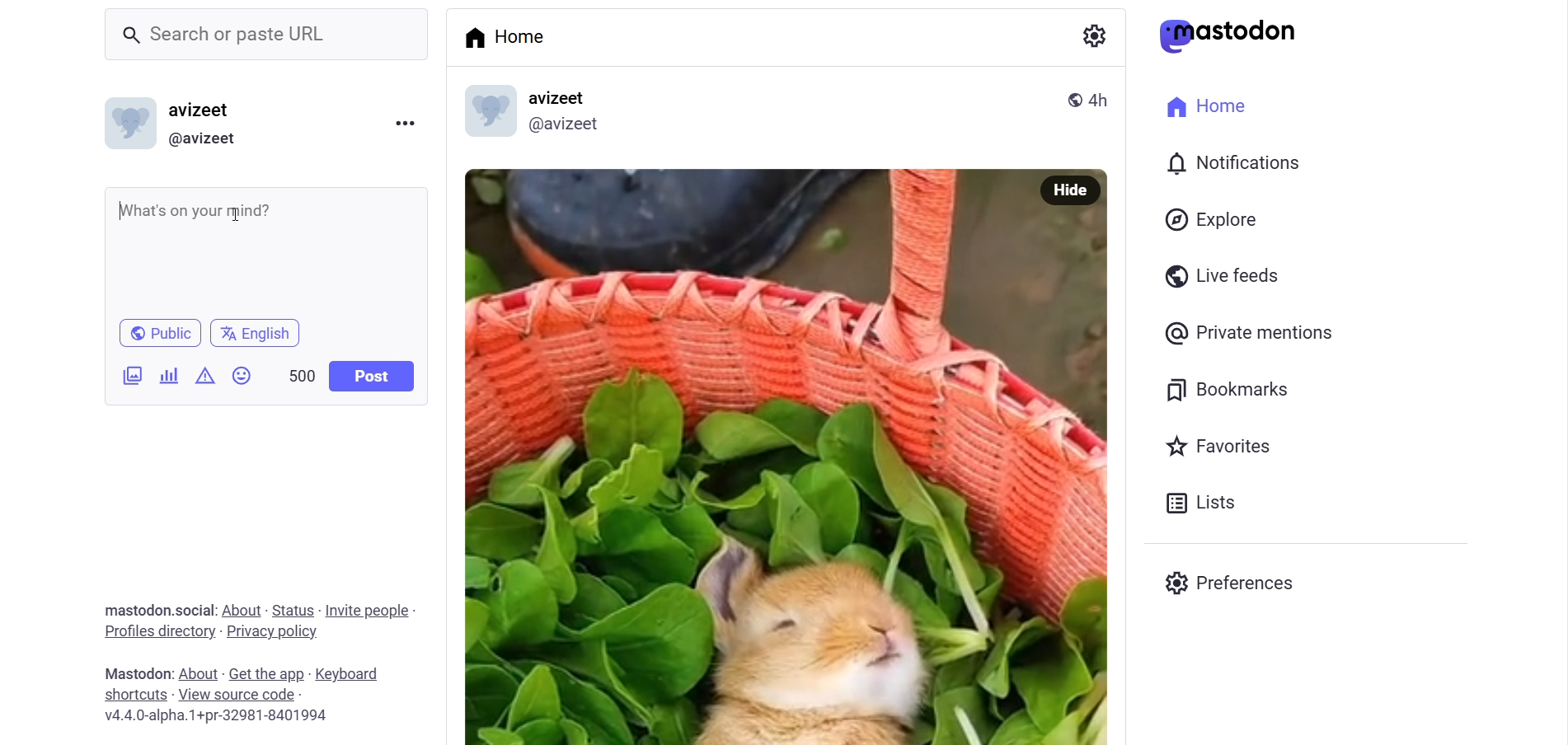  I want to click on about, so click(200, 672).